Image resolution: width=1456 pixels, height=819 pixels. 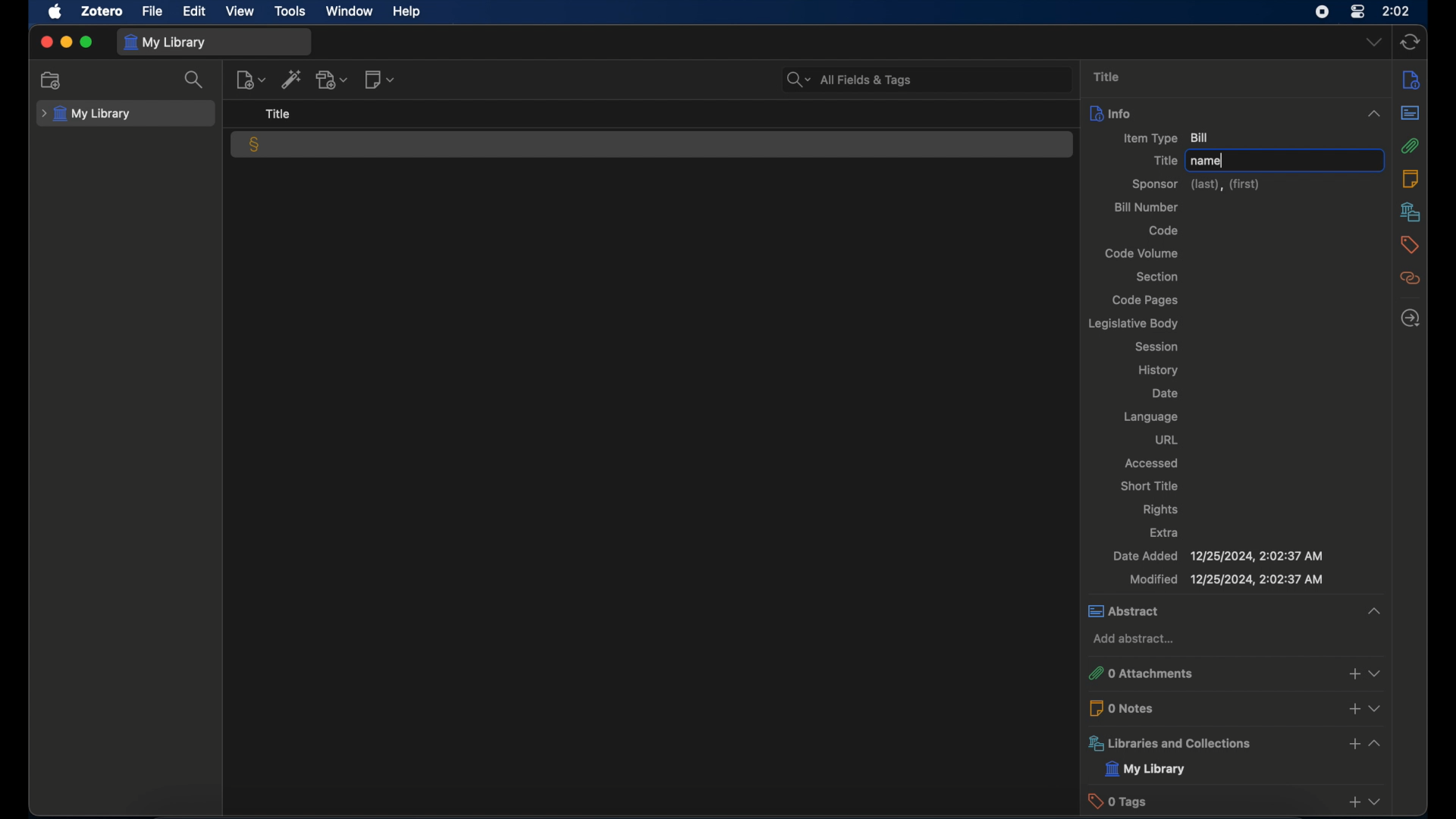 I want to click on modified, so click(x=1228, y=579).